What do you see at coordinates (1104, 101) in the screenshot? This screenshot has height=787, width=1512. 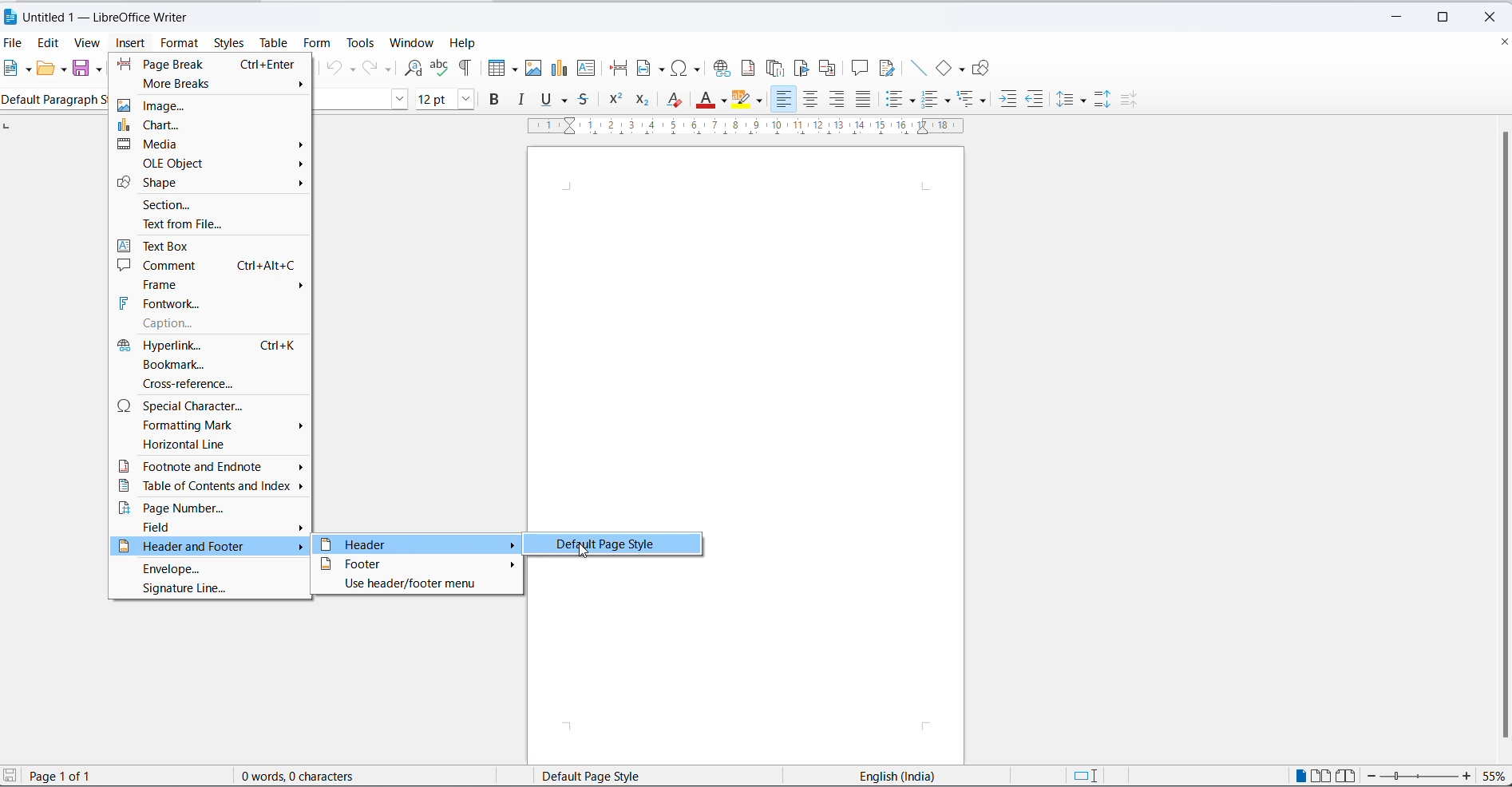 I see `increase paragraph spacing` at bounding box center [1104, 101].